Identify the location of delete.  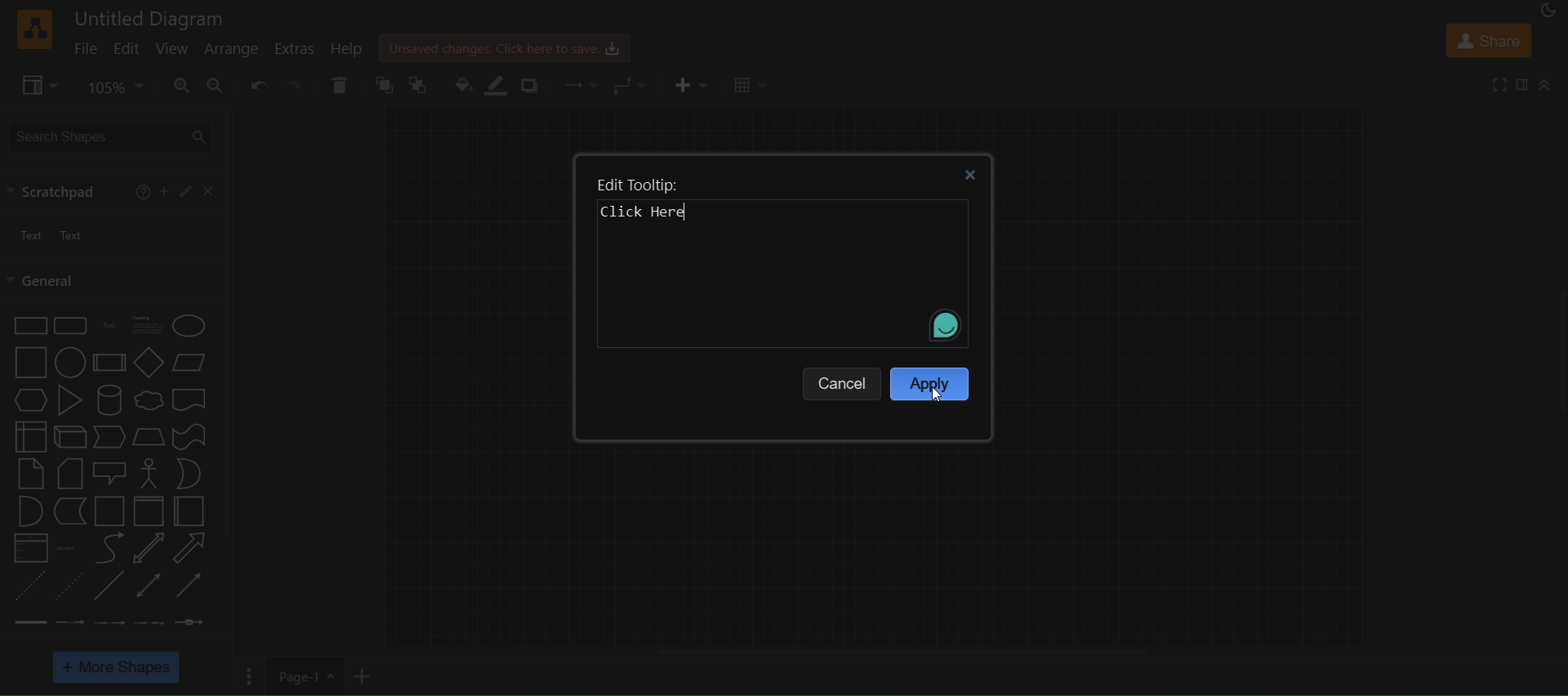
(341, 83).